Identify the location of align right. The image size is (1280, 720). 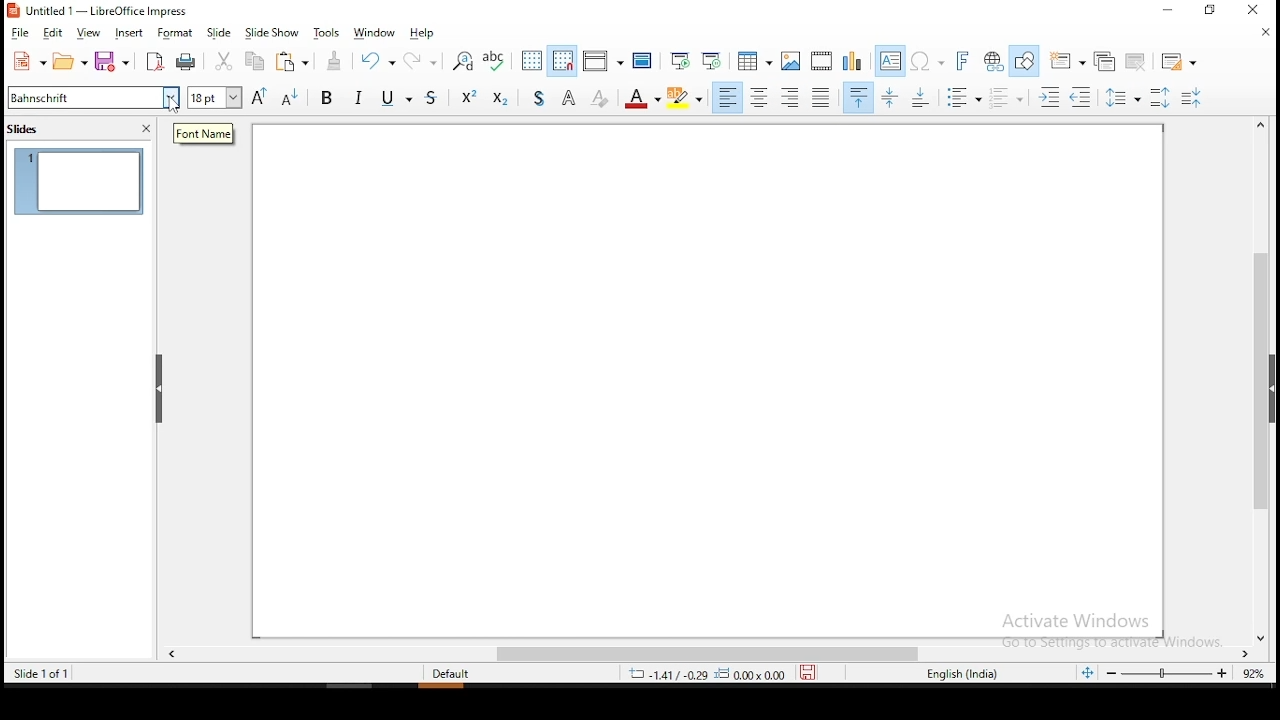
(791, 97).